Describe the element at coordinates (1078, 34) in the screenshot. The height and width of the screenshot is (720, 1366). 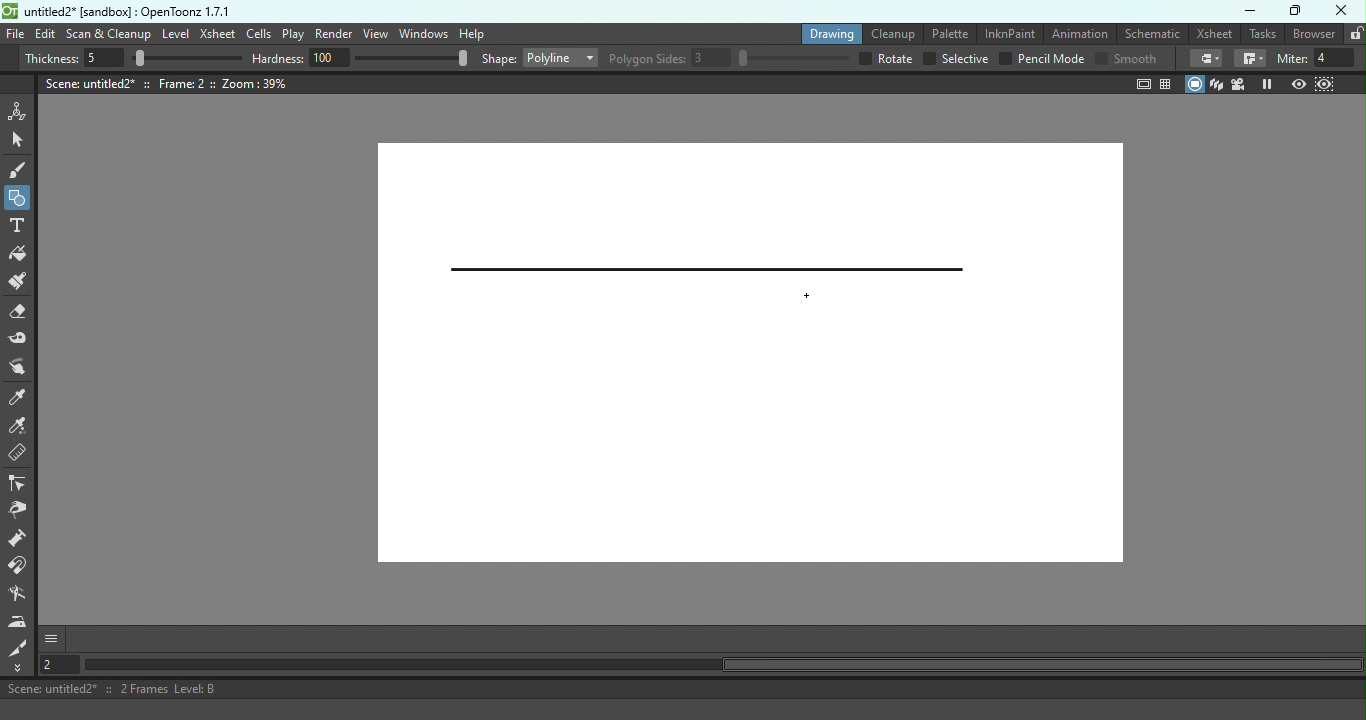
I see `Animation` at that location.